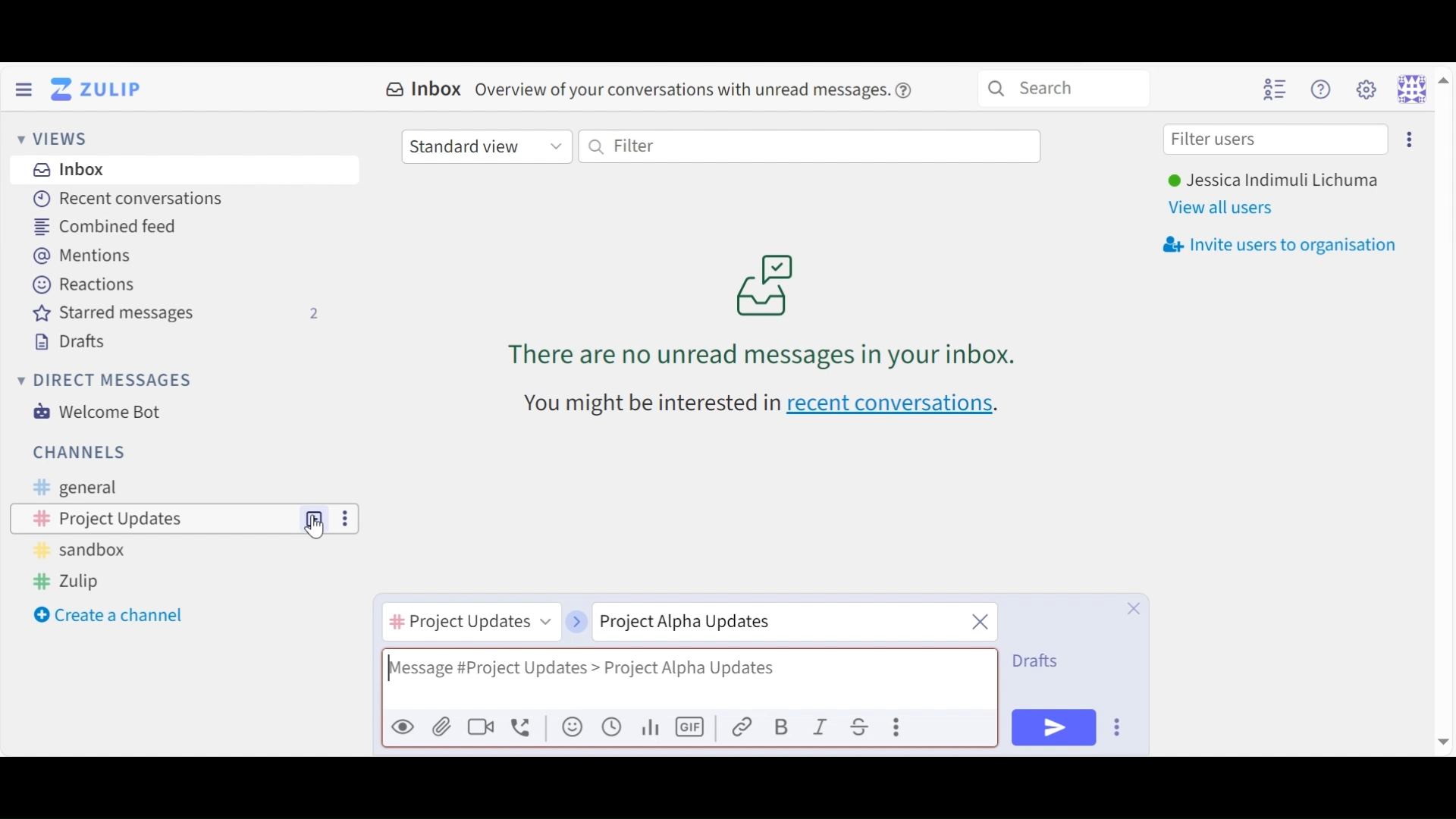 This screenshot has height=819, width=1456. I want to click on close, so click(981, 620).